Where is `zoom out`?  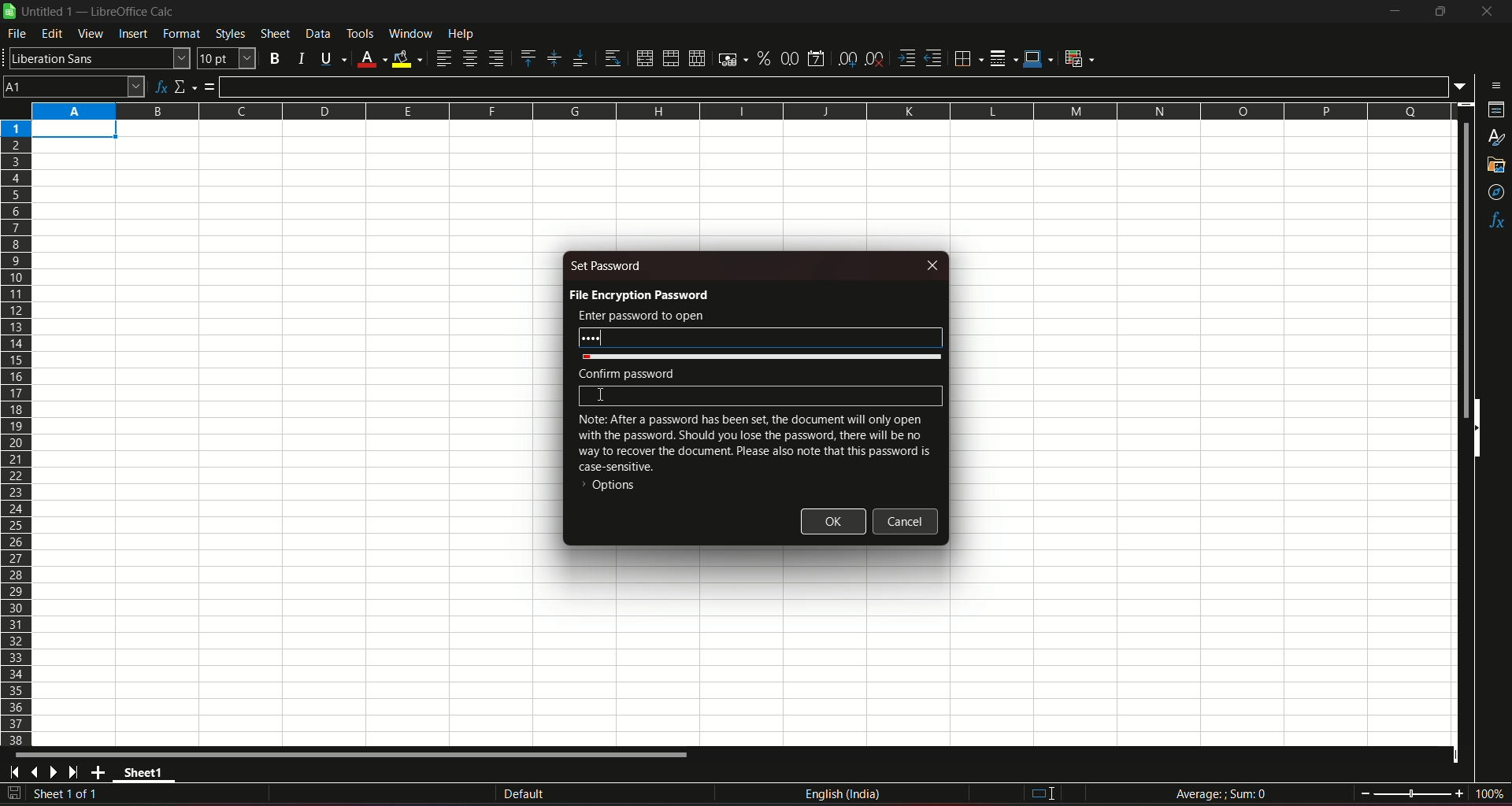 zoom out is located at coordinates (1365, 792).